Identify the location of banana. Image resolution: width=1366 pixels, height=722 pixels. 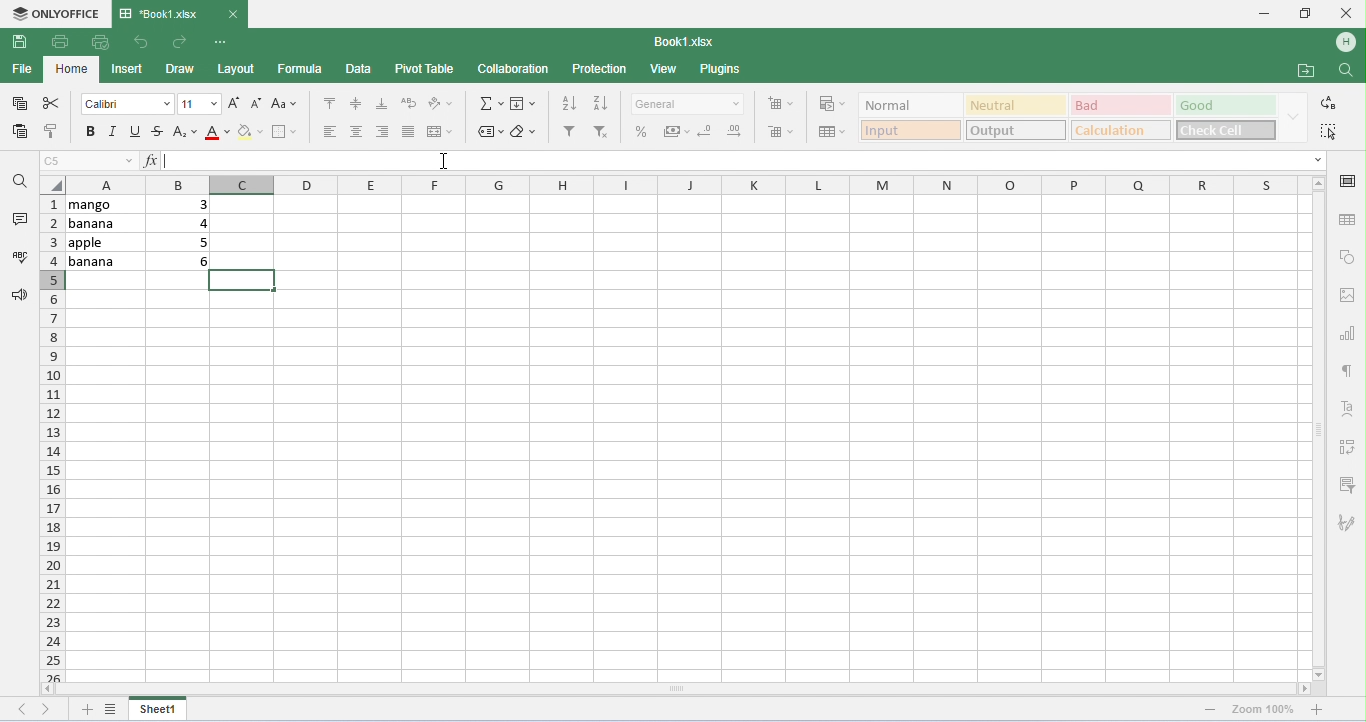
(104, 261).